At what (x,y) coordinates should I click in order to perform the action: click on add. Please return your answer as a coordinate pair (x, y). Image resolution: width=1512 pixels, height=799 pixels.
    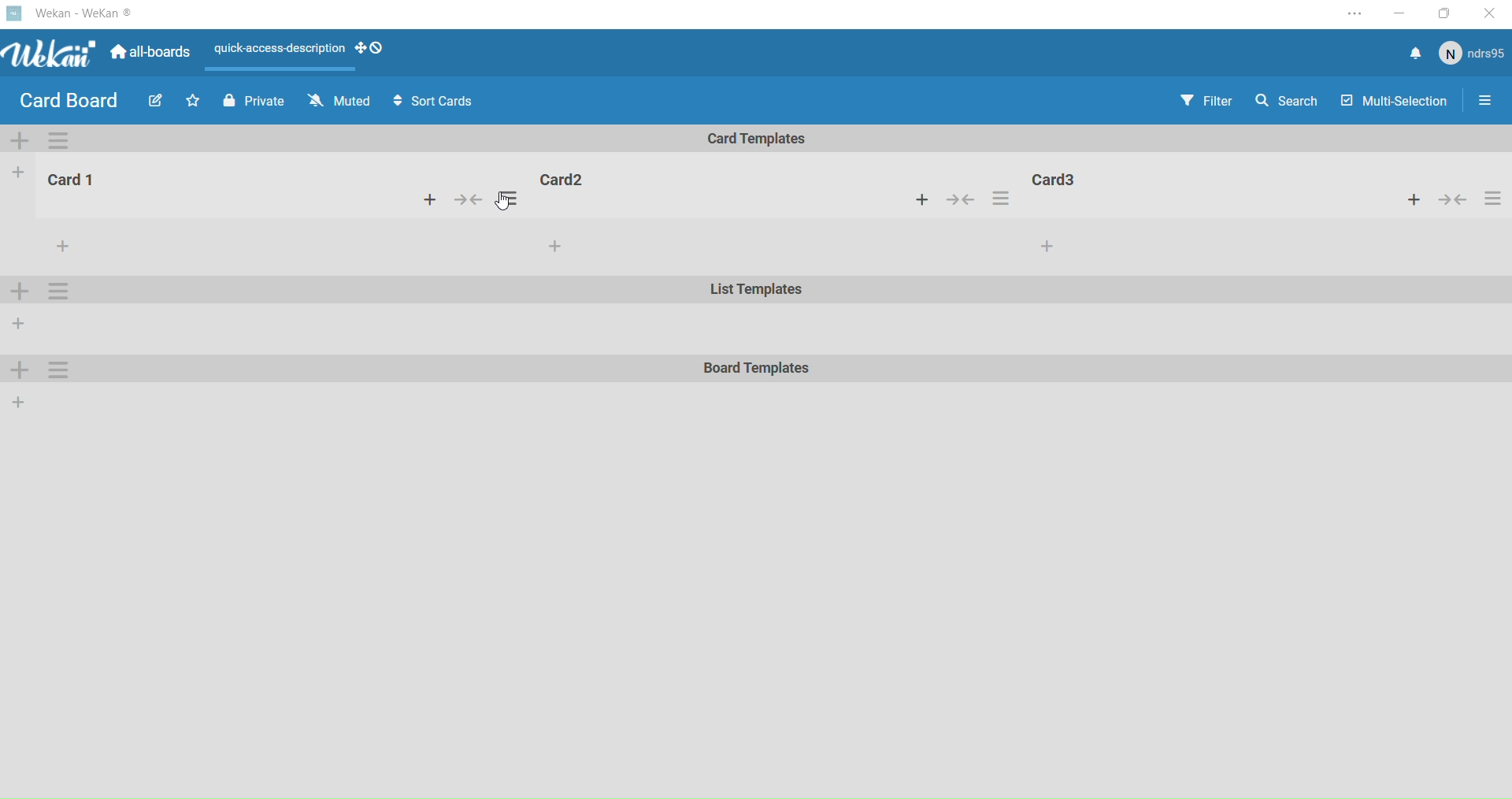
    Looking at the image, I should click on (20, 405).